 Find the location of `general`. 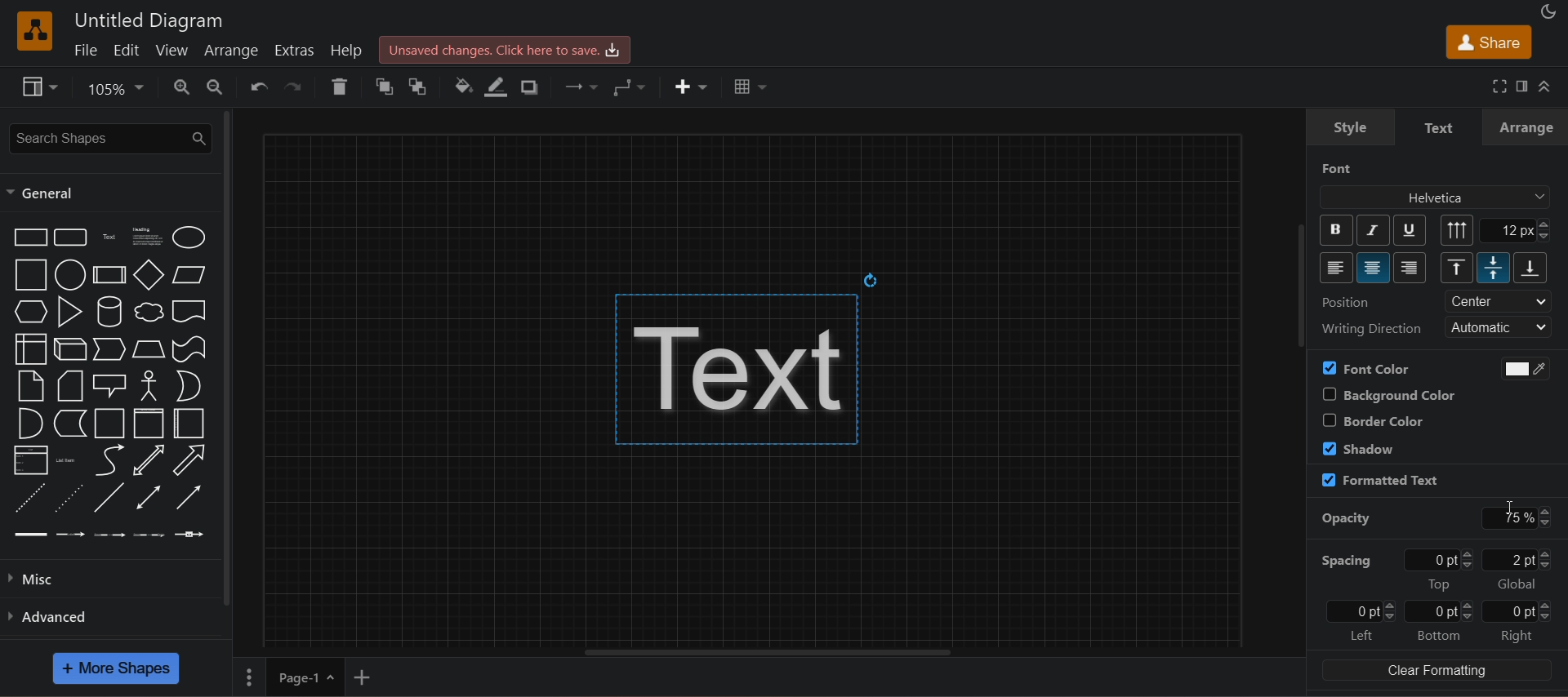

general is located at coordinates (44, 193).